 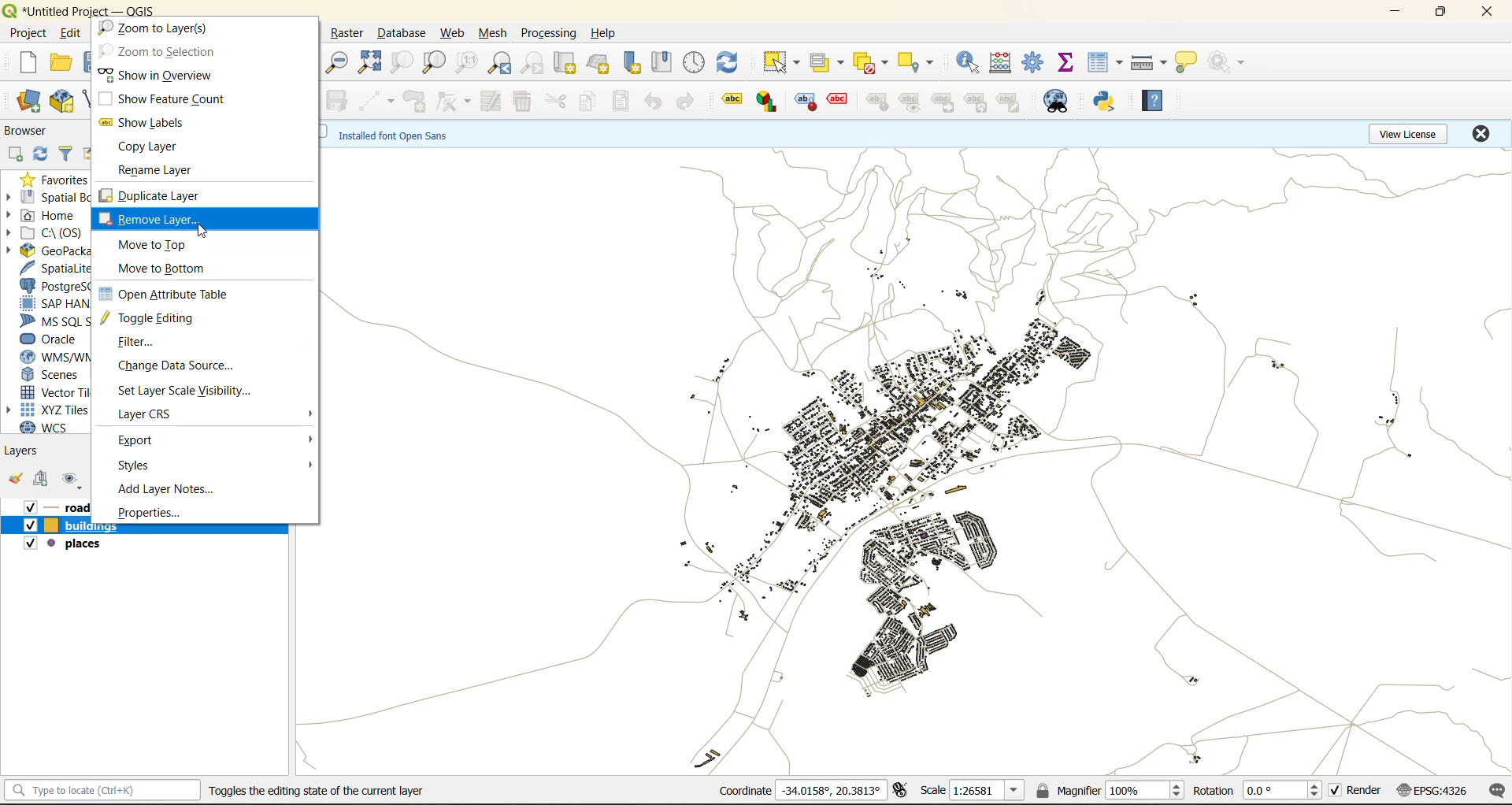 I want to click on minimize, so click(x=1402, y=13).